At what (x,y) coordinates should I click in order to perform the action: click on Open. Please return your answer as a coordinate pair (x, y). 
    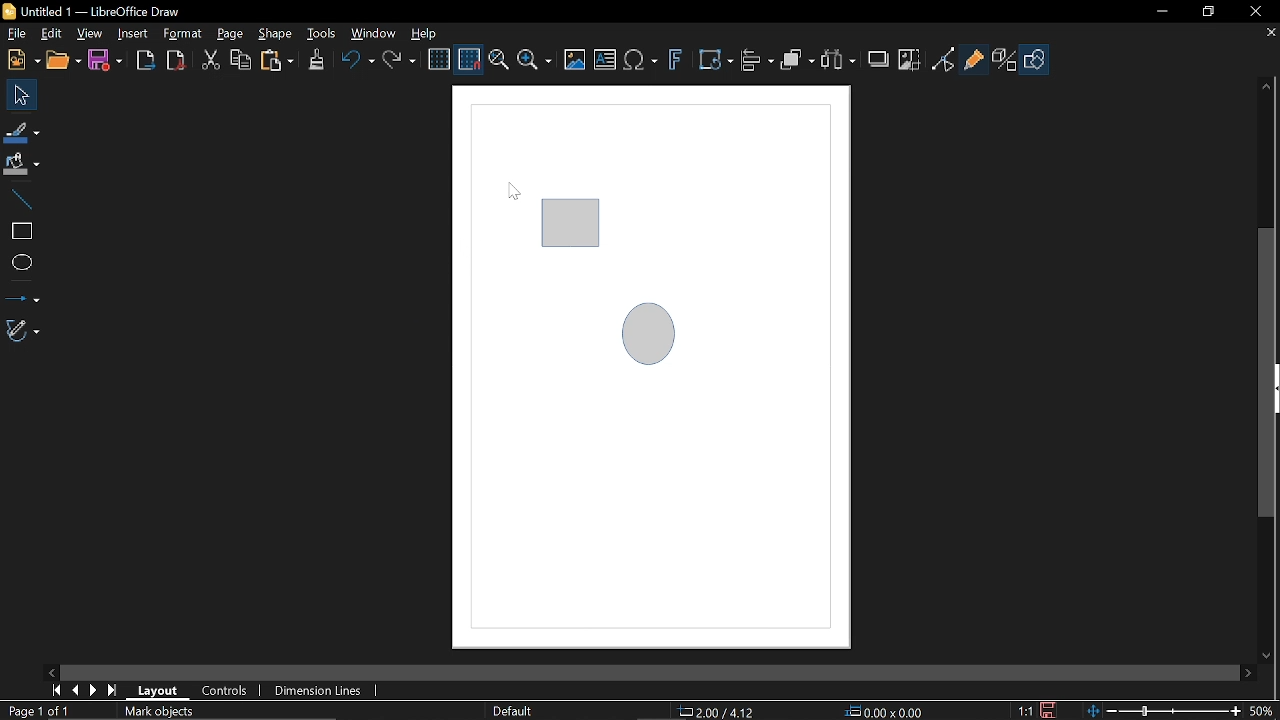
    Looking at the image, I should click on (63, 61).